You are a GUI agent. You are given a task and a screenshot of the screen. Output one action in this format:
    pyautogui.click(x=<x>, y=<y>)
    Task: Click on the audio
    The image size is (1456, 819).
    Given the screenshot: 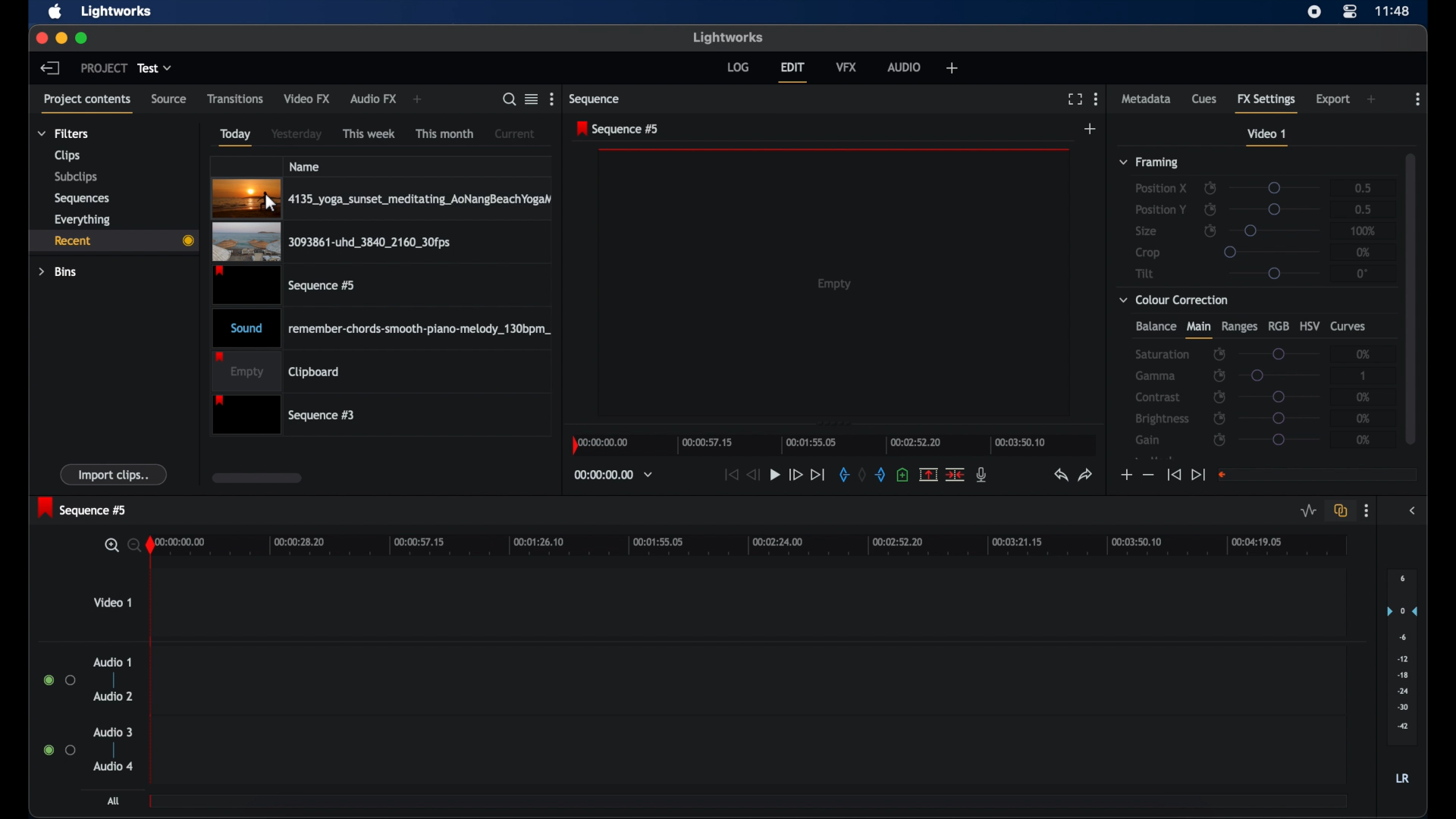 What is the action you would take?
    pyautogui.click(x=905, y=67)
    